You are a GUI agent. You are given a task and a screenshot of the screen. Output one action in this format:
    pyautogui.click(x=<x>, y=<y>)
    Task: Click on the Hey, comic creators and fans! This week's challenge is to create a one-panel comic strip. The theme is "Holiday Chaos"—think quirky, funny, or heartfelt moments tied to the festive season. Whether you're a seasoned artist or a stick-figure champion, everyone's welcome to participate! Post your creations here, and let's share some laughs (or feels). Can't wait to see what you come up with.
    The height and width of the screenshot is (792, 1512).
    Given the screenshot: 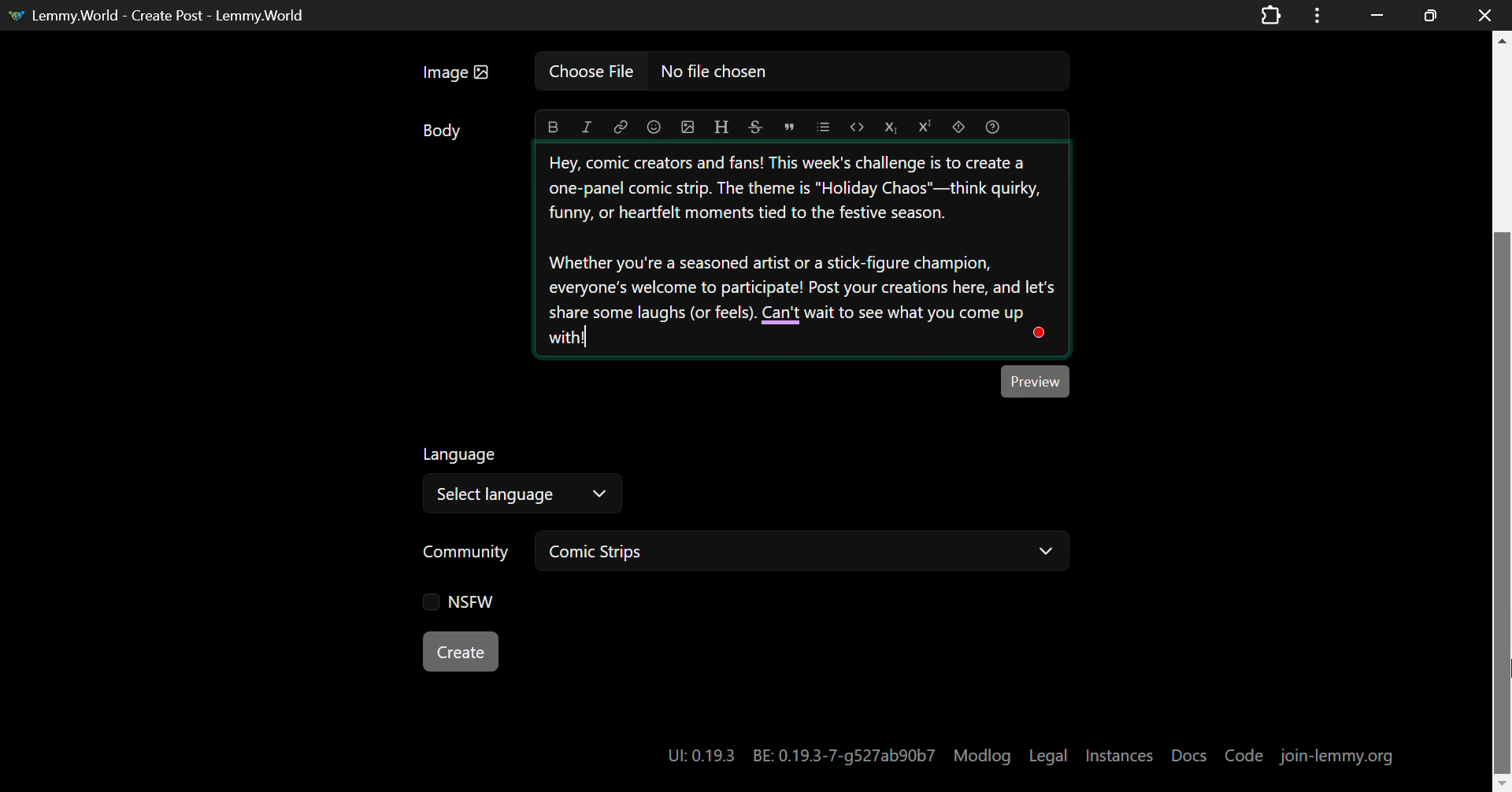 What is the action you would take?
    pyautogui.click(x=802, y=251)
    